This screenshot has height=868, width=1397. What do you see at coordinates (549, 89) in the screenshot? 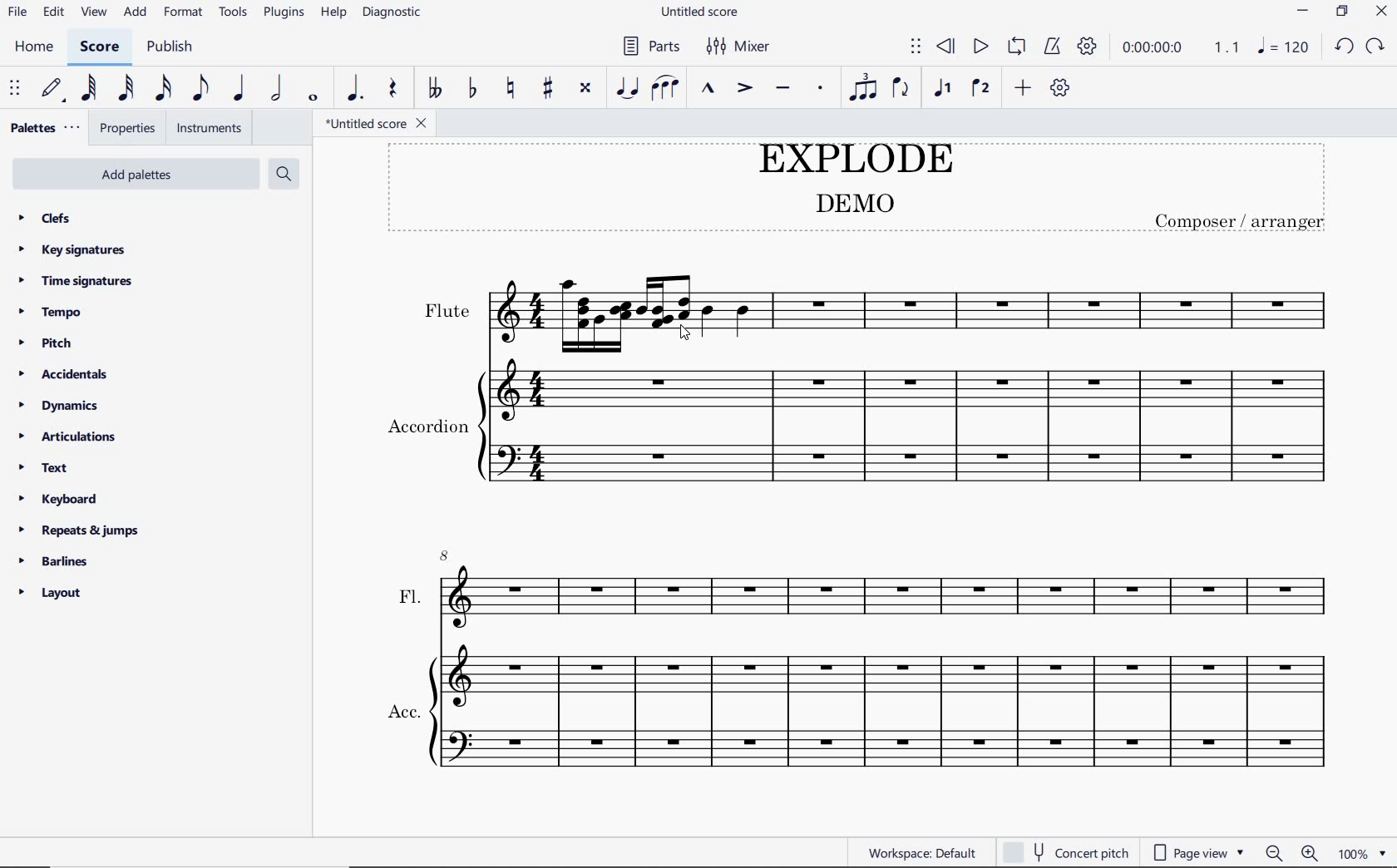
I see `toggle sharp` at bounding box center [549, 89].